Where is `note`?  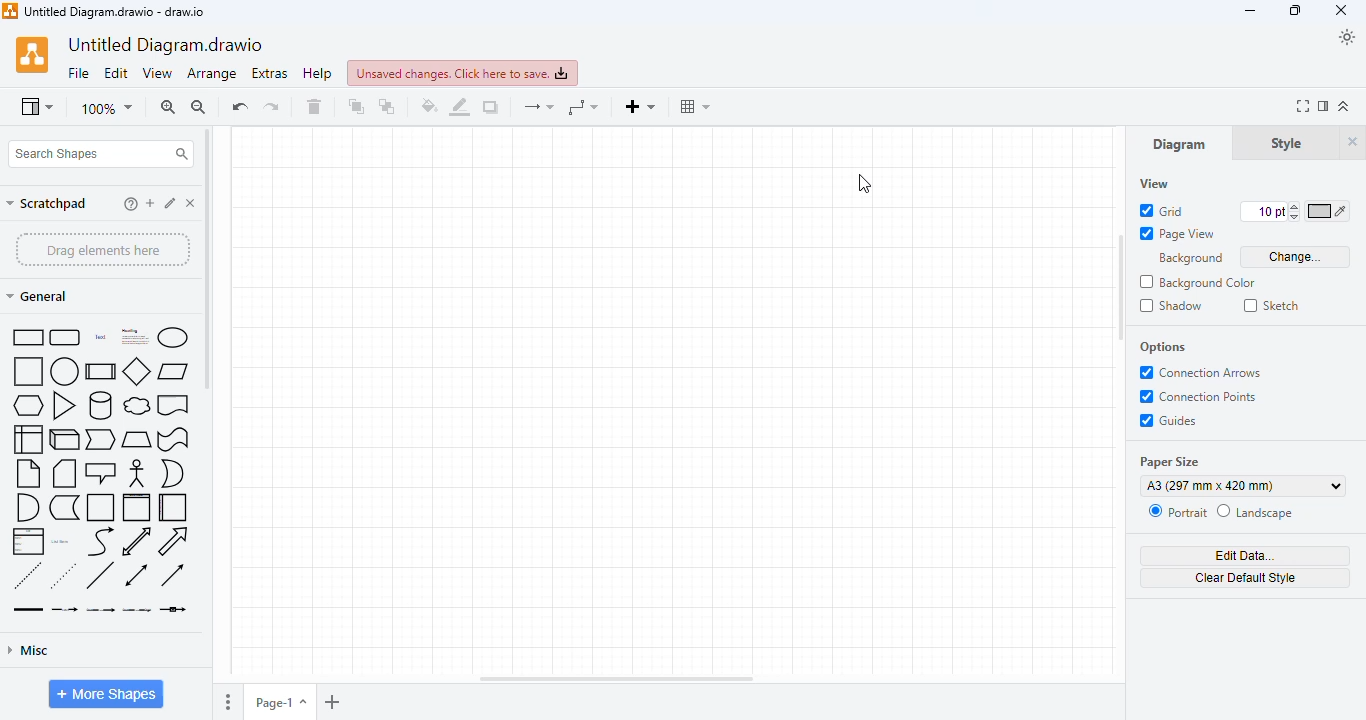 note is located at coordinates (28, 473).